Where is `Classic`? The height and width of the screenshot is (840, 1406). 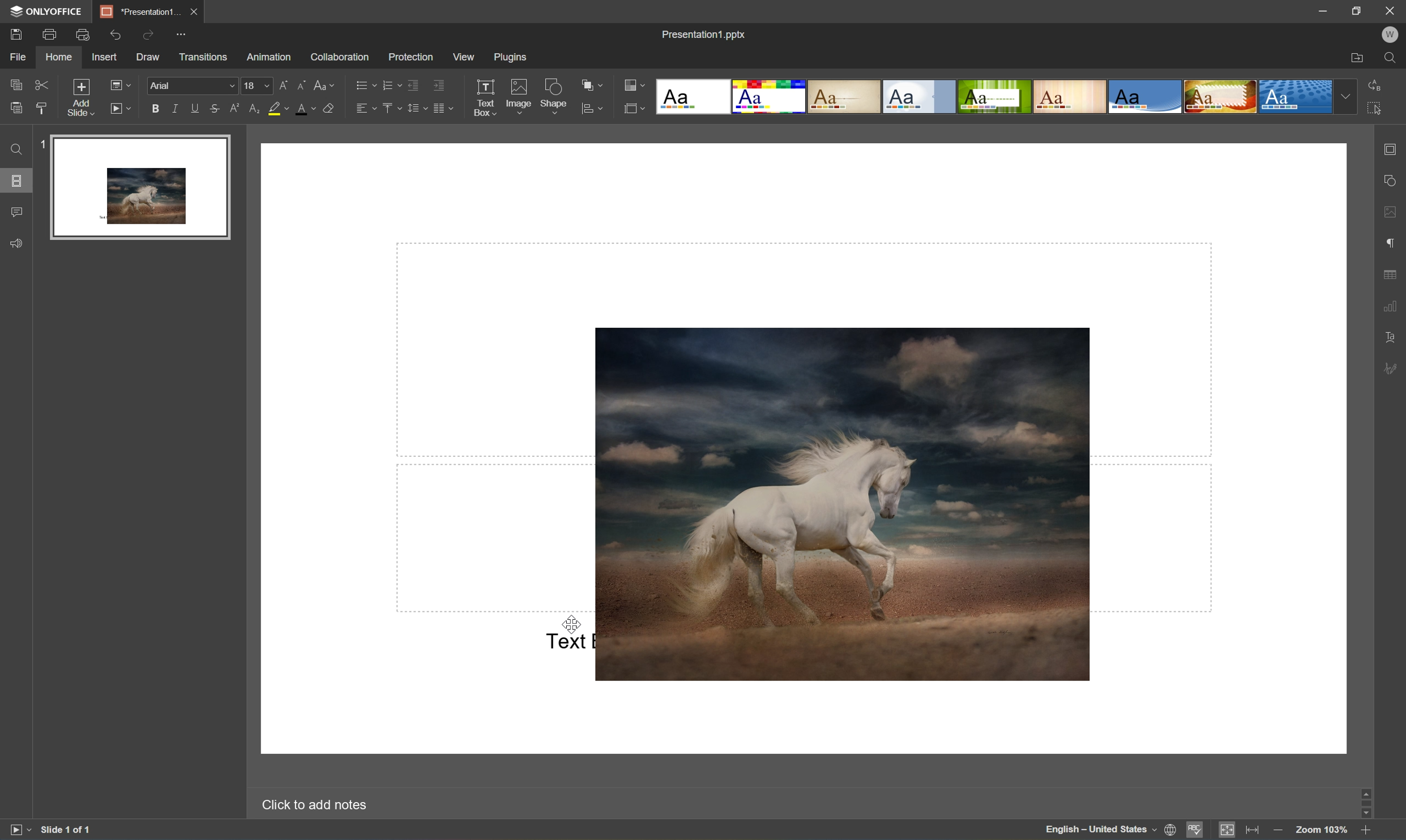 Classic is located at coordinates (845, 97).